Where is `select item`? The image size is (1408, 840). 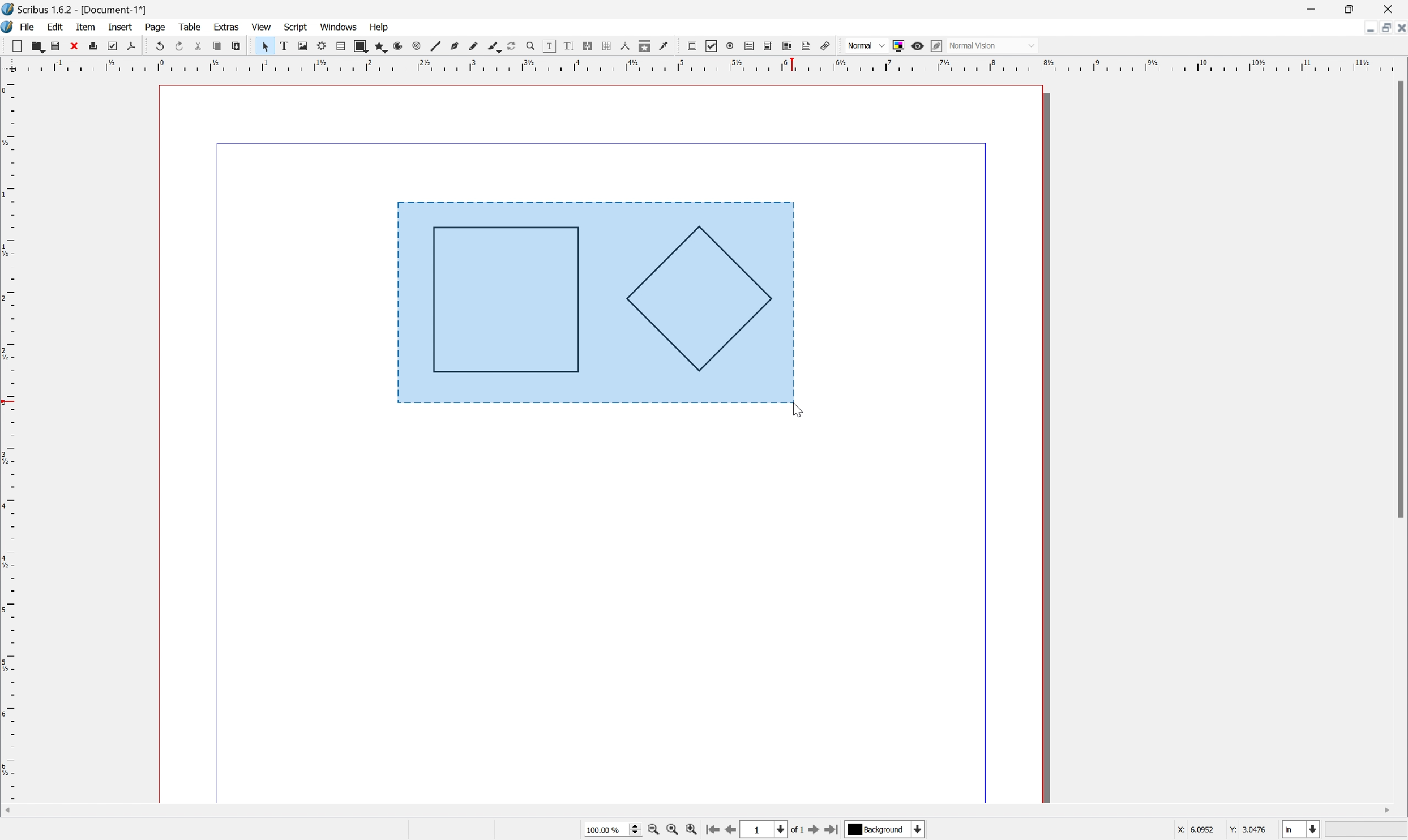
select item is located at coordinates (262, 46).